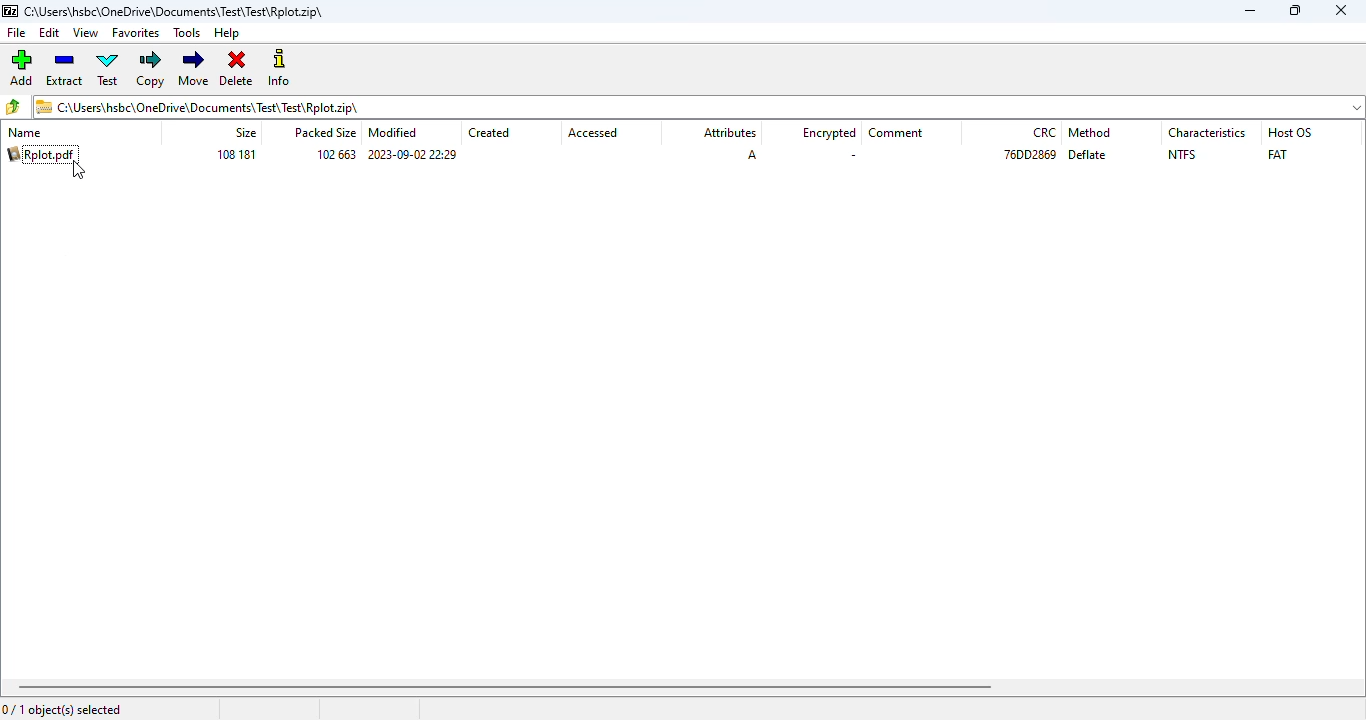 Image resolution: width=1366 pixels, height=720 pixels. I want to click on comment, so click(896, 133).